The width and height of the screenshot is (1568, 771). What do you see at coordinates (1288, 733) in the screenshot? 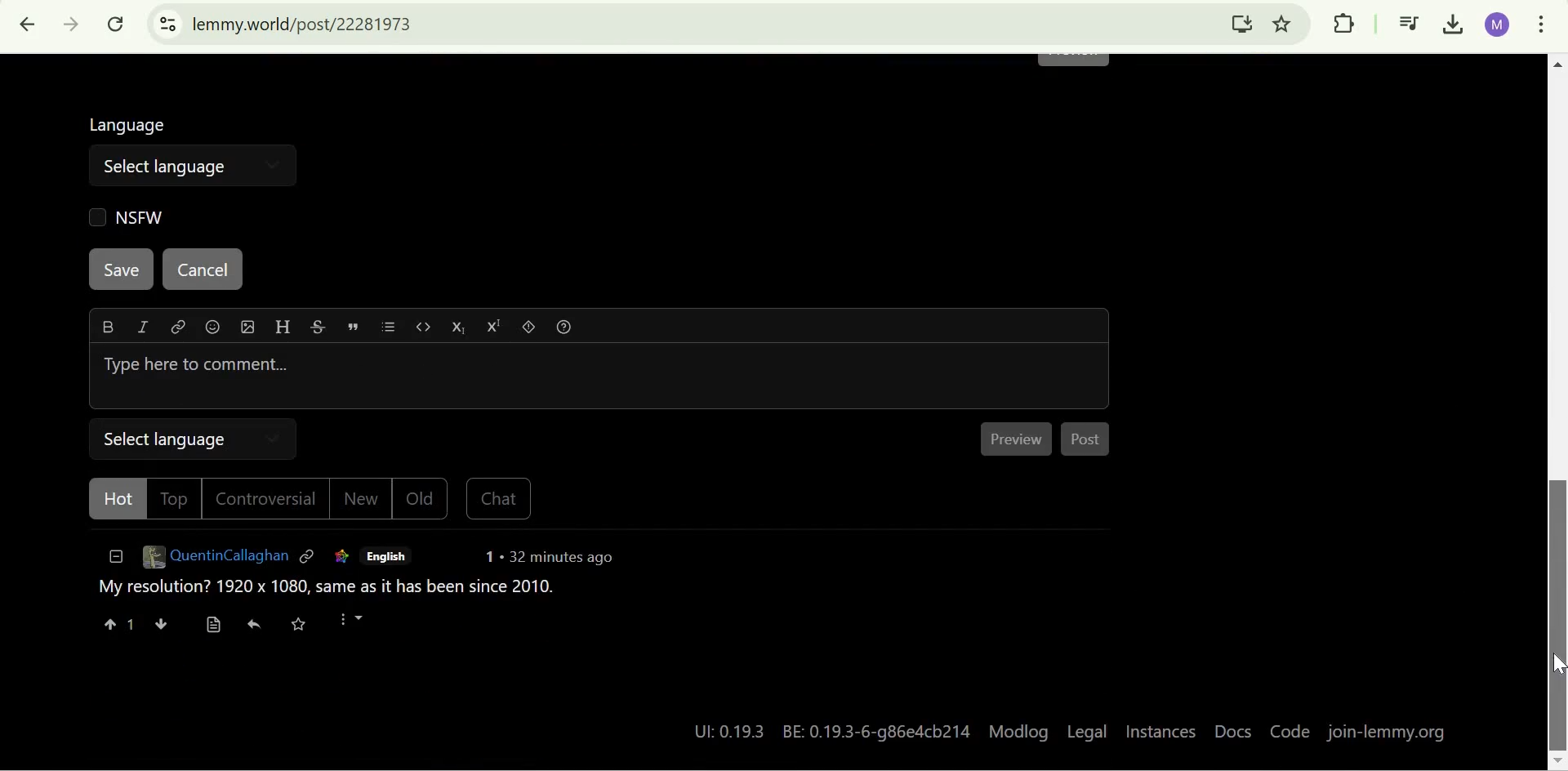
I see `Code` at bounding box center [1288, 733].